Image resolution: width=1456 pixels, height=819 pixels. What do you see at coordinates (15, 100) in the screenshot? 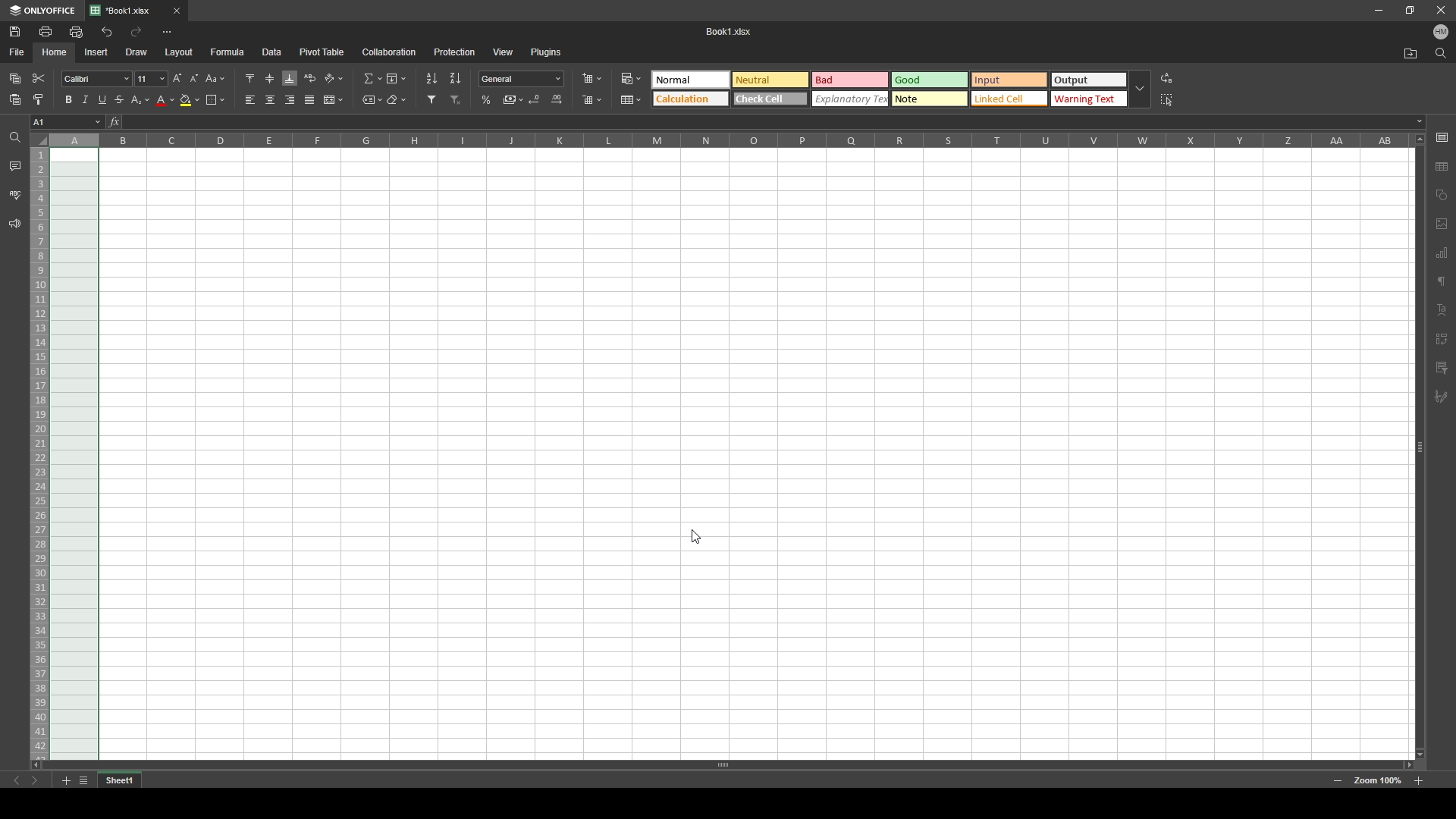
I see `paste` at bounding box center [15, 100].